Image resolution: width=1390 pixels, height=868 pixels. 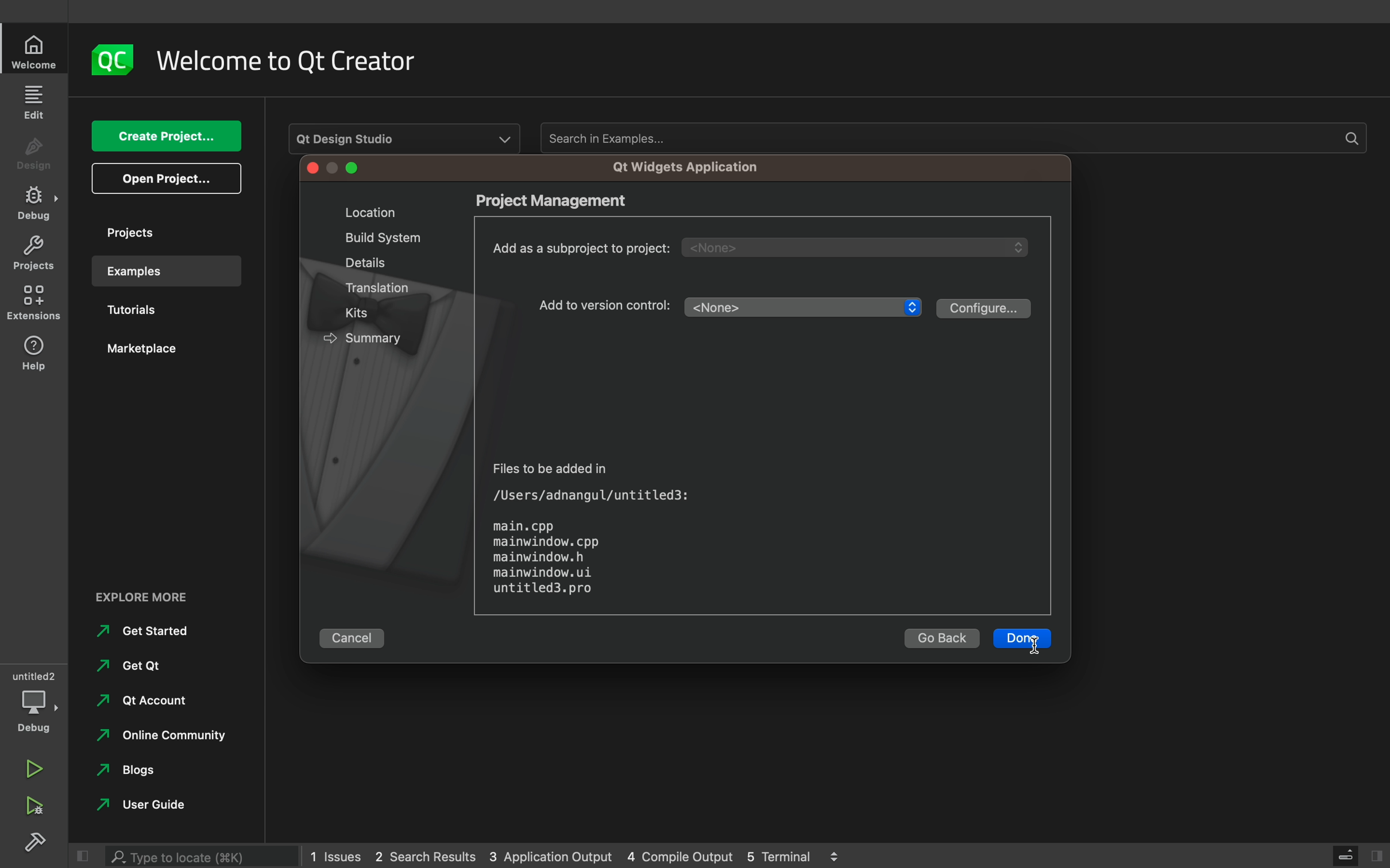 I want to click on get qt, so click(x=128, y=666).